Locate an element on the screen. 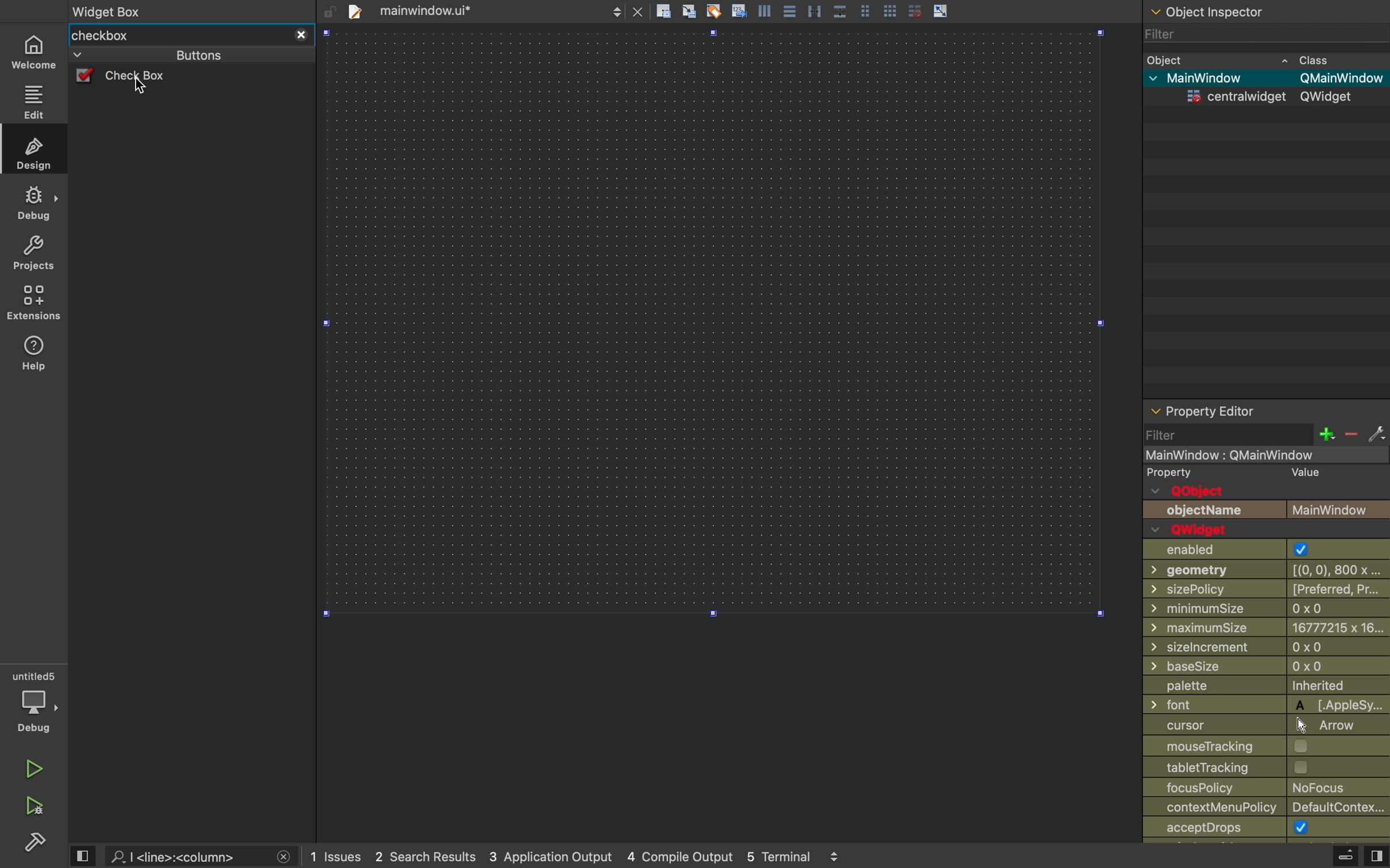 This screenshot has height=868, width=1390. maximum size  is located at coordinates (1267, 627).